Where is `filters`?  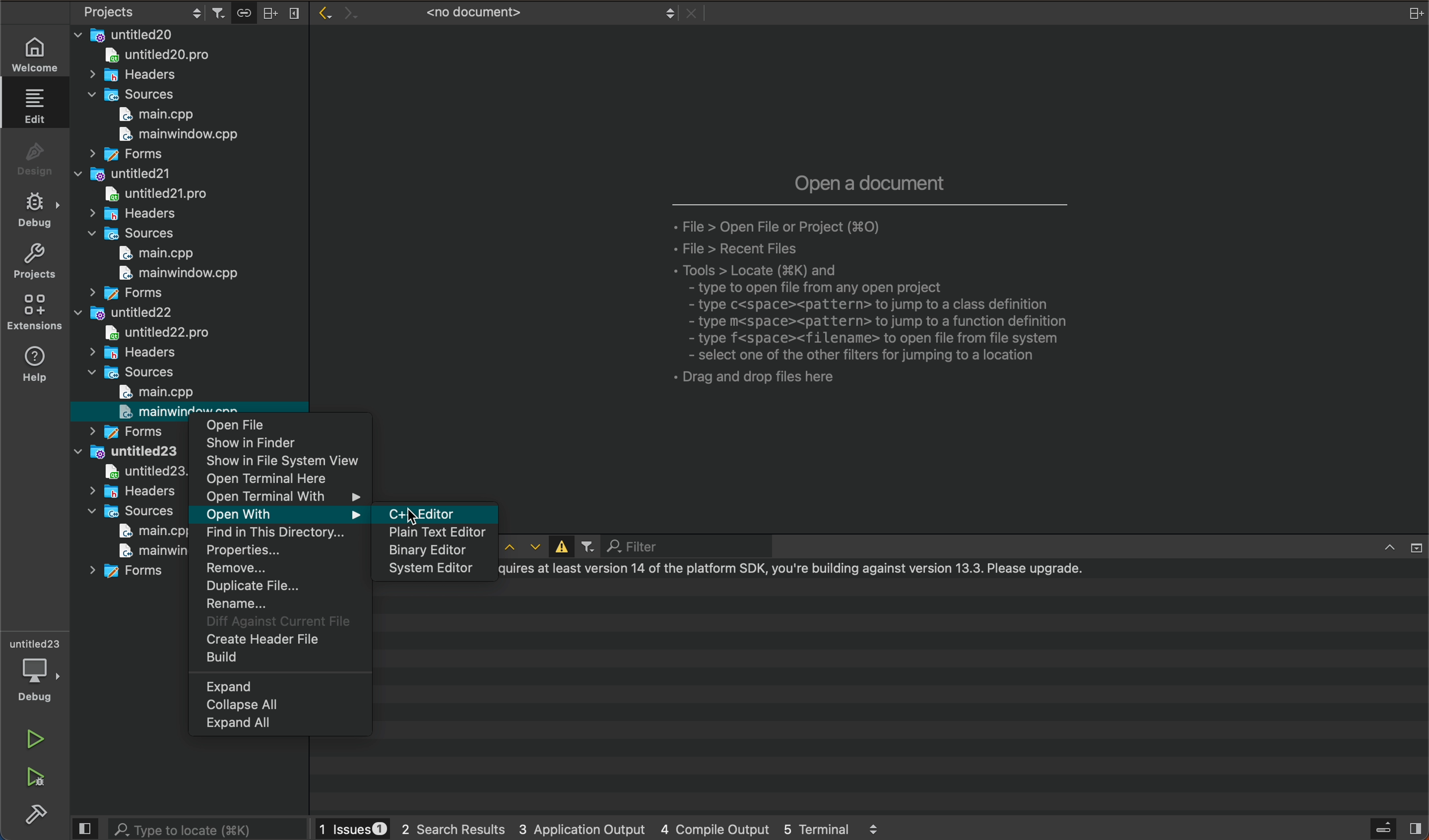
filters is located at coordinates (221, 12).